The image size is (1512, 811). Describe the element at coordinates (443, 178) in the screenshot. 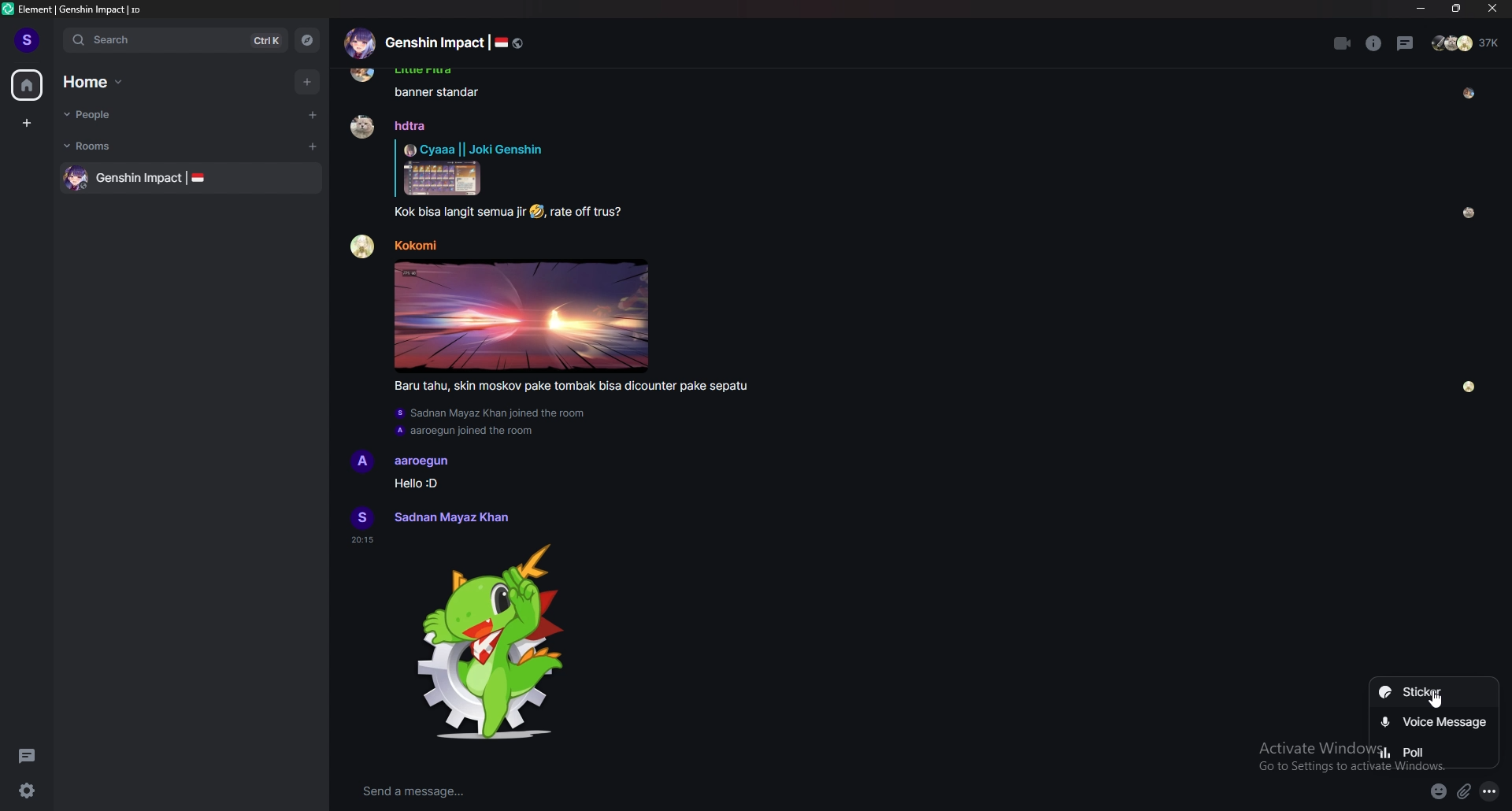

I see `Image` at that location.